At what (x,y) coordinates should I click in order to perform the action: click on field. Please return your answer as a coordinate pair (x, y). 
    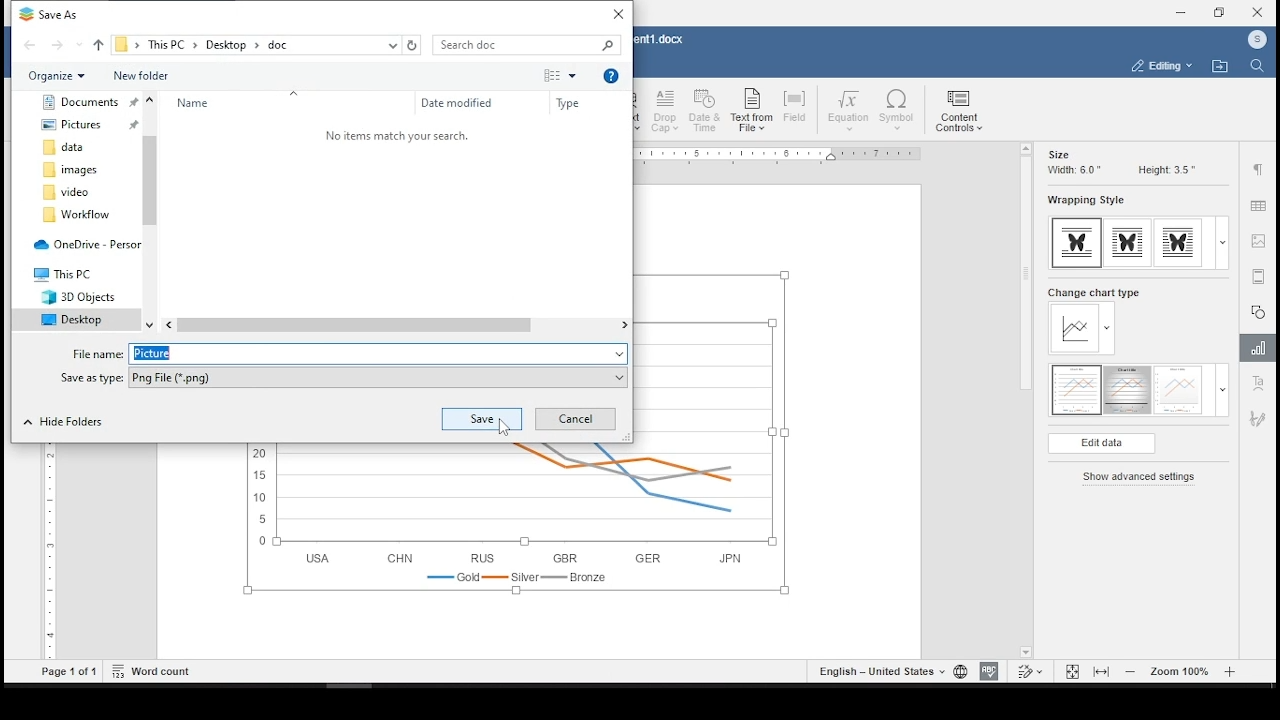
    Looking at the image, I should click on (798, 109).